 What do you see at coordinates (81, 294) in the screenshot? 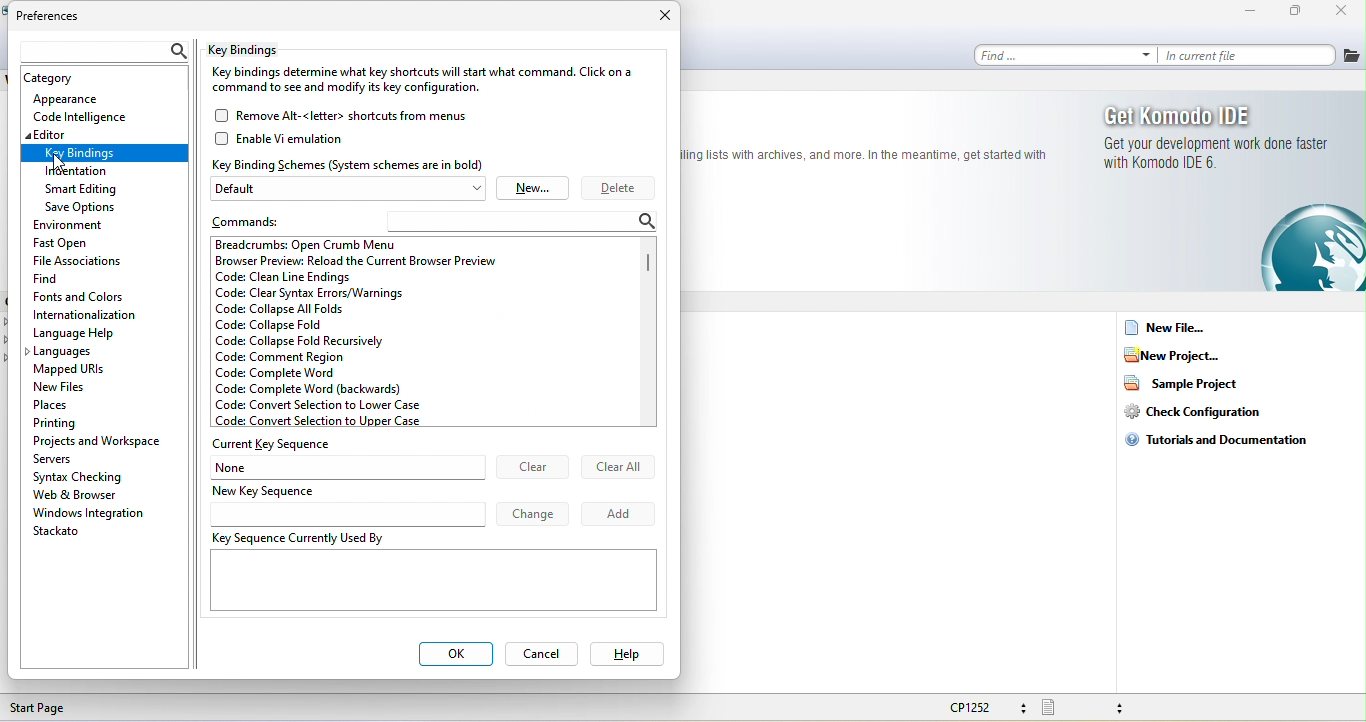
I see `fonts and colors` at bounding box center [81, 294].